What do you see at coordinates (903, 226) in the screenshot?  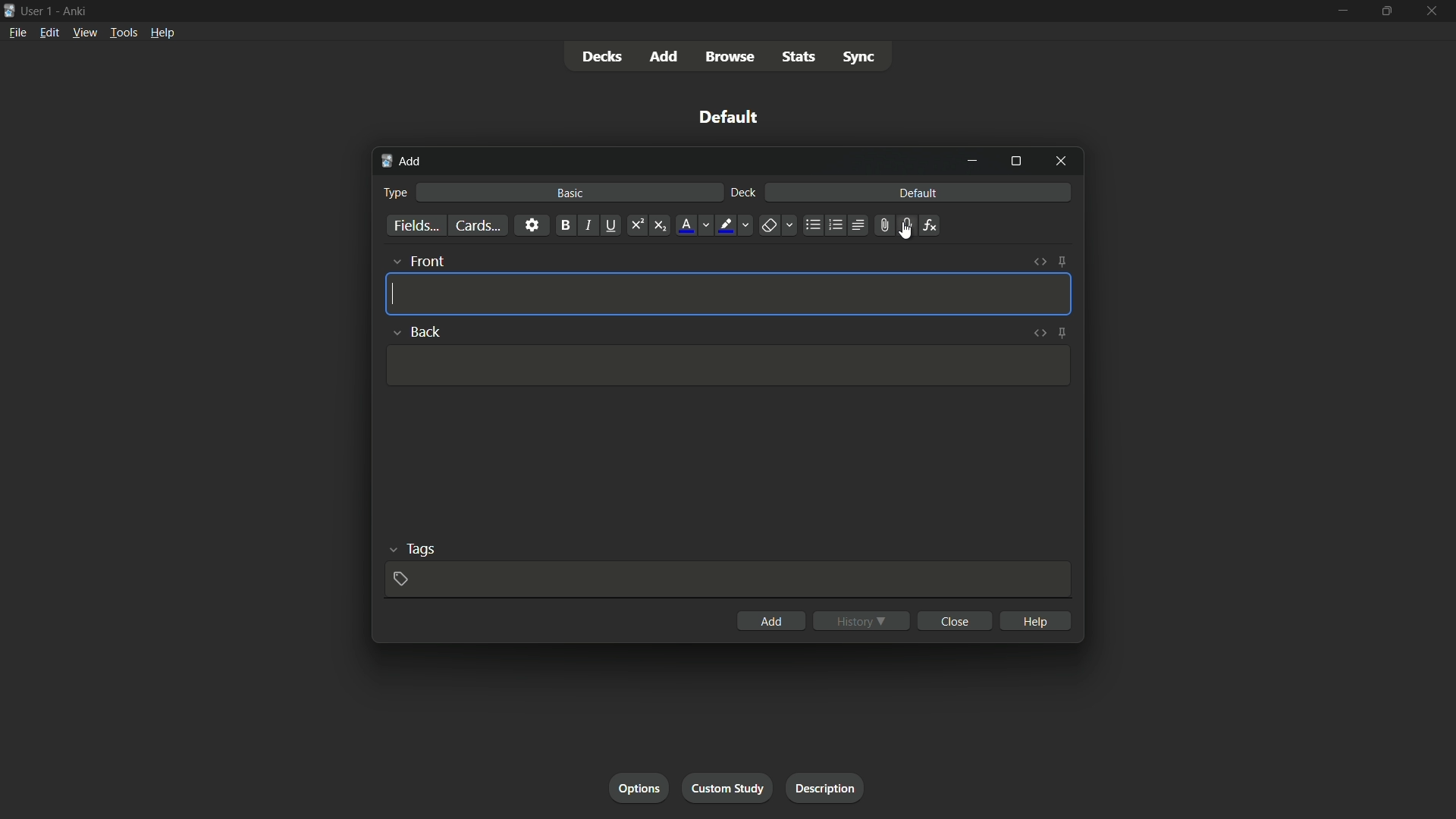 I see `record audio` at bounding box center [903, 226].